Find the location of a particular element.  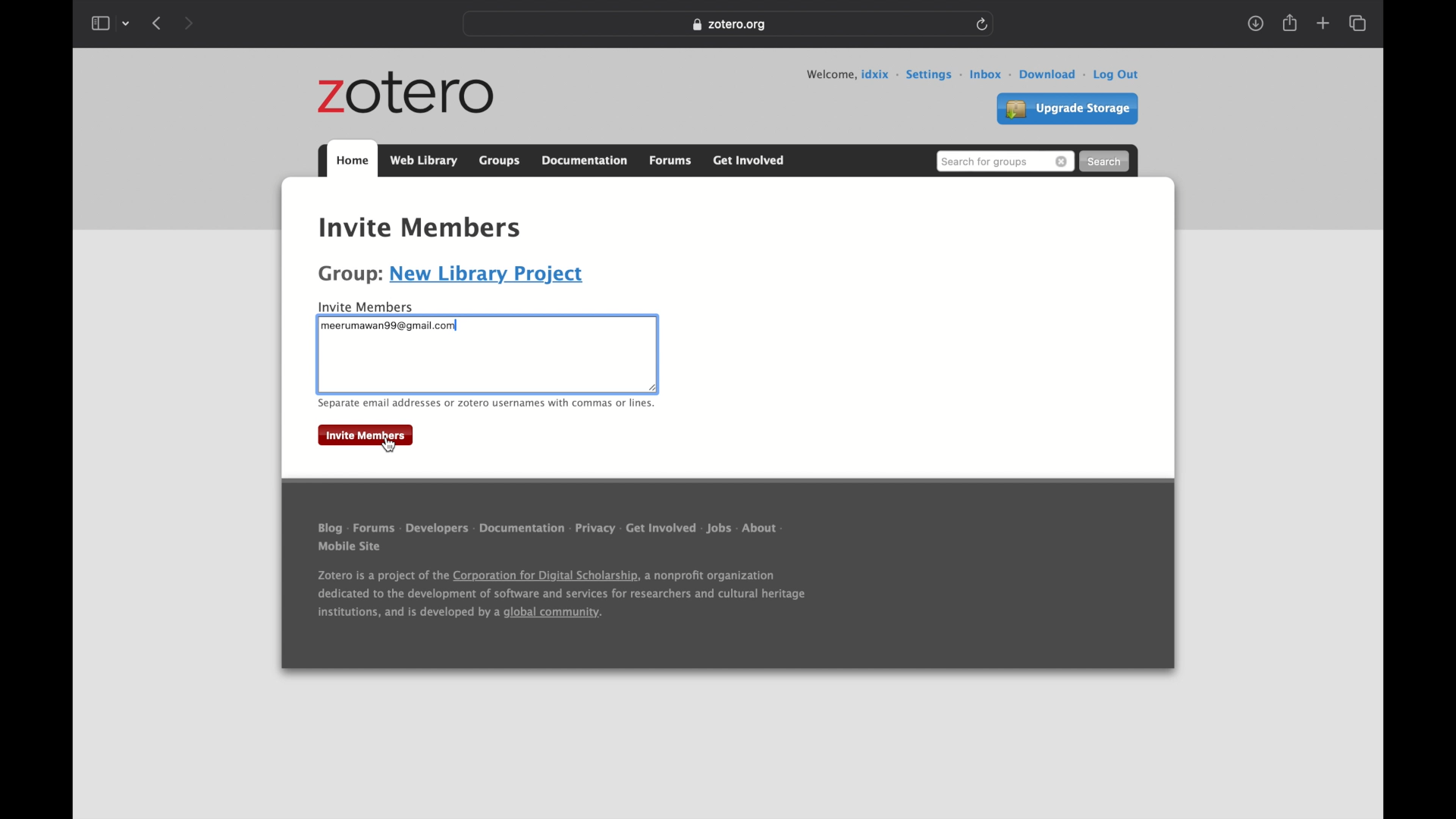

search button is located at coordinates (1105, 162).